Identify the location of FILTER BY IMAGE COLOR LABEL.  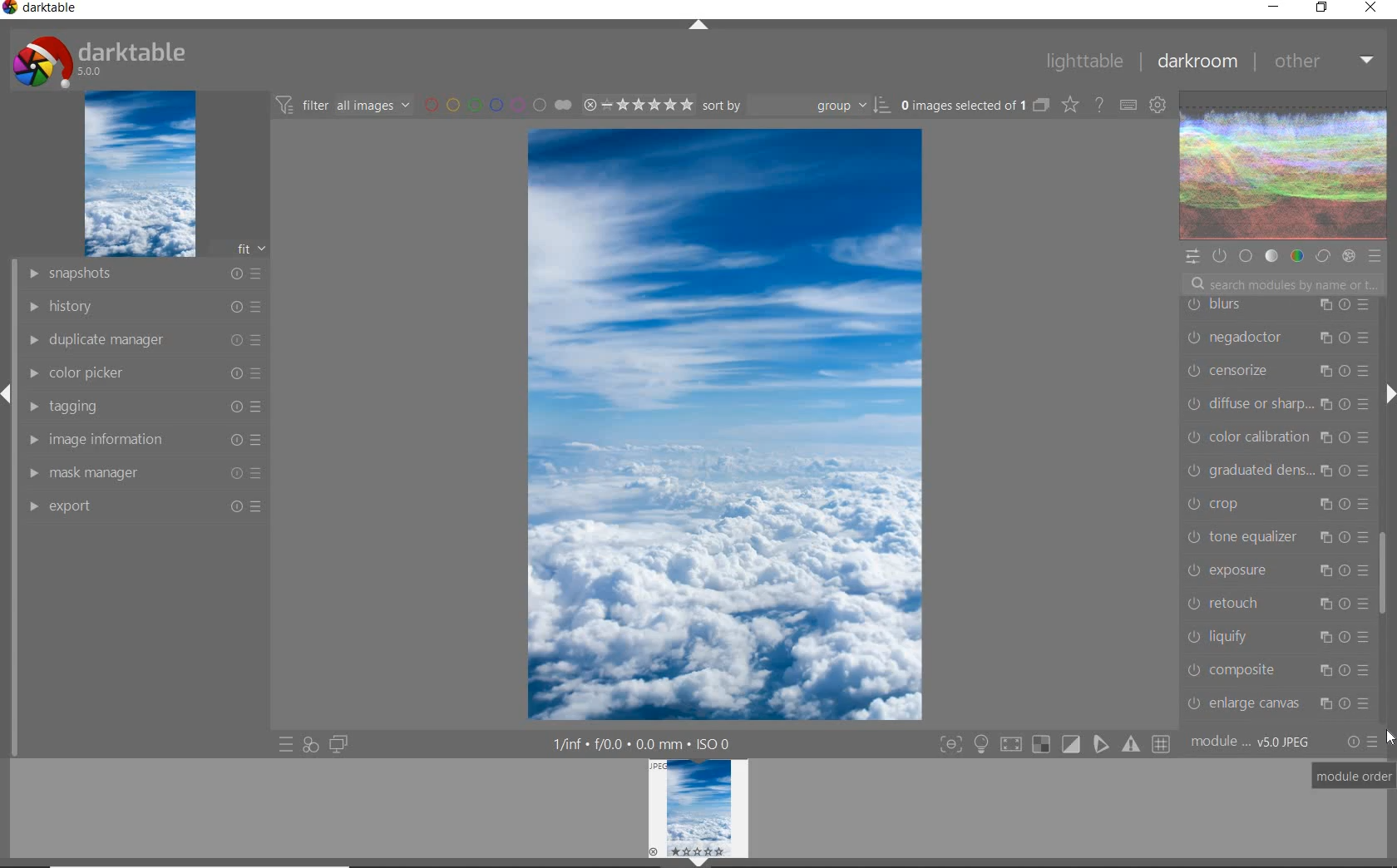
(496, 104).